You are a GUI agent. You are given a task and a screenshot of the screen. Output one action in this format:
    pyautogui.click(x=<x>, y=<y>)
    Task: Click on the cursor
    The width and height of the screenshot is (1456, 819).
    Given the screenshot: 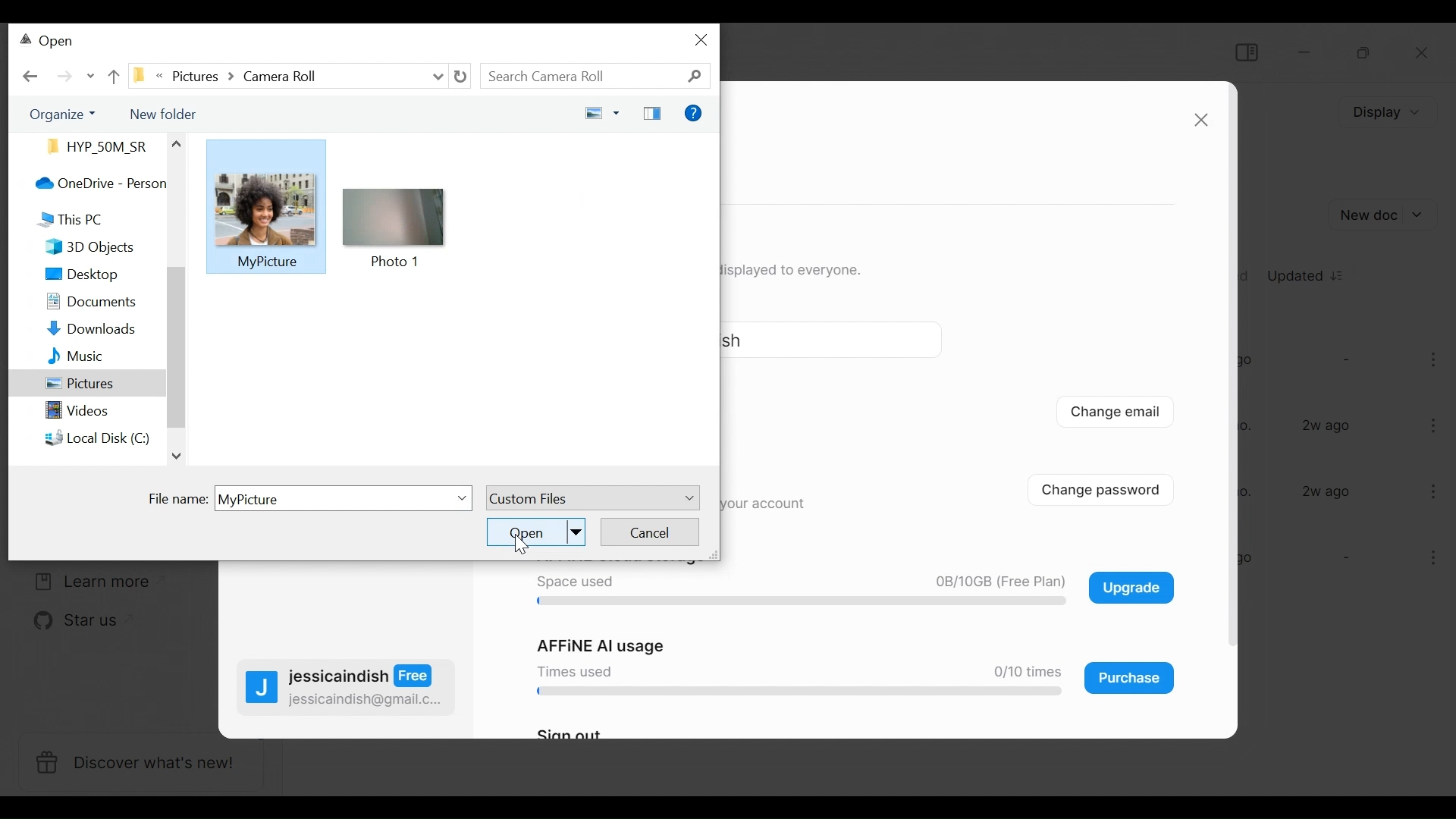 What is the action you would take?
    pyautogui.click(x=267, y=262)
    